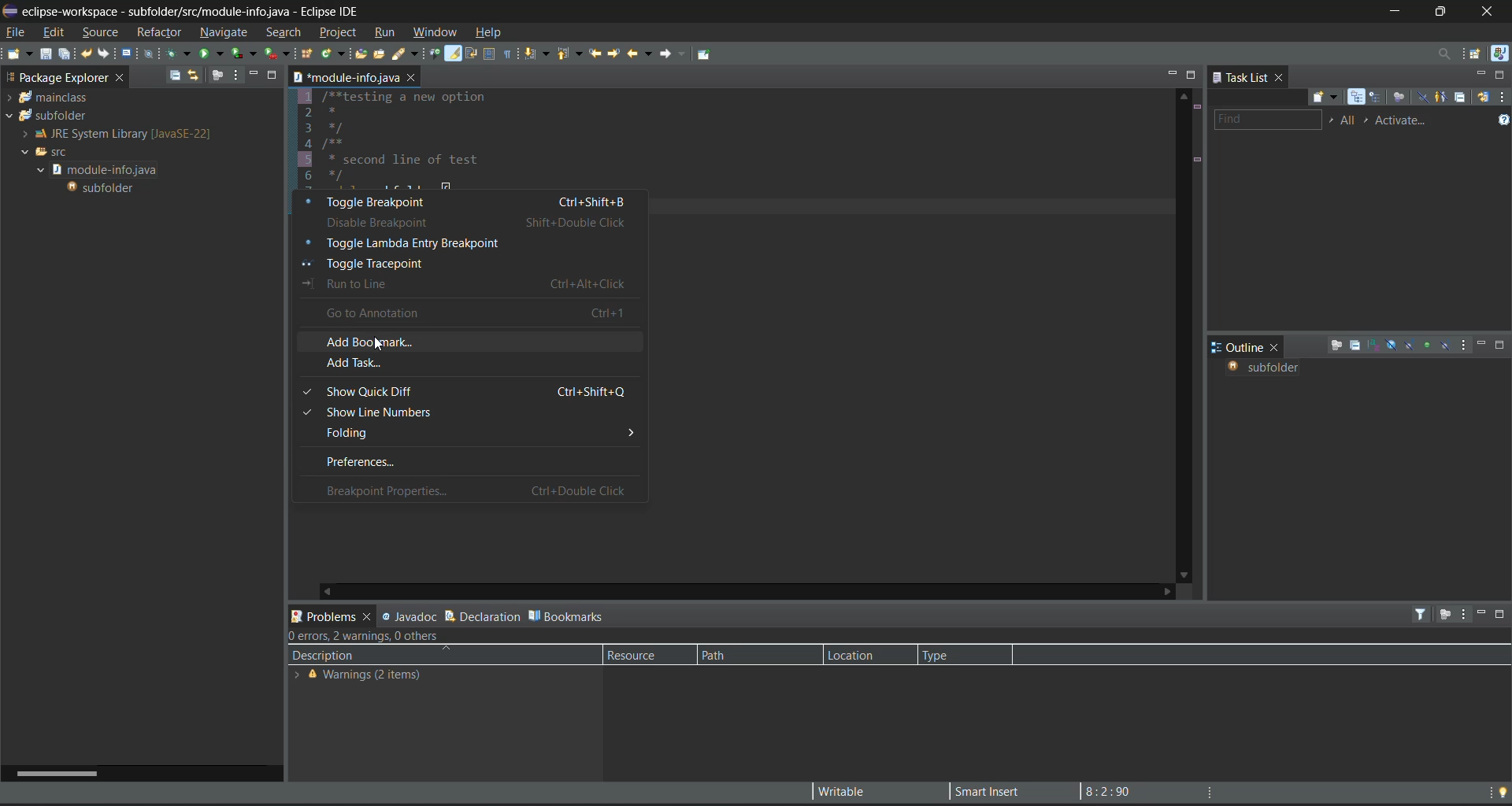 Image resolution: width=1512 pixels, height=806 pixels. I want to click on tip of the day, so click(1503, 791).